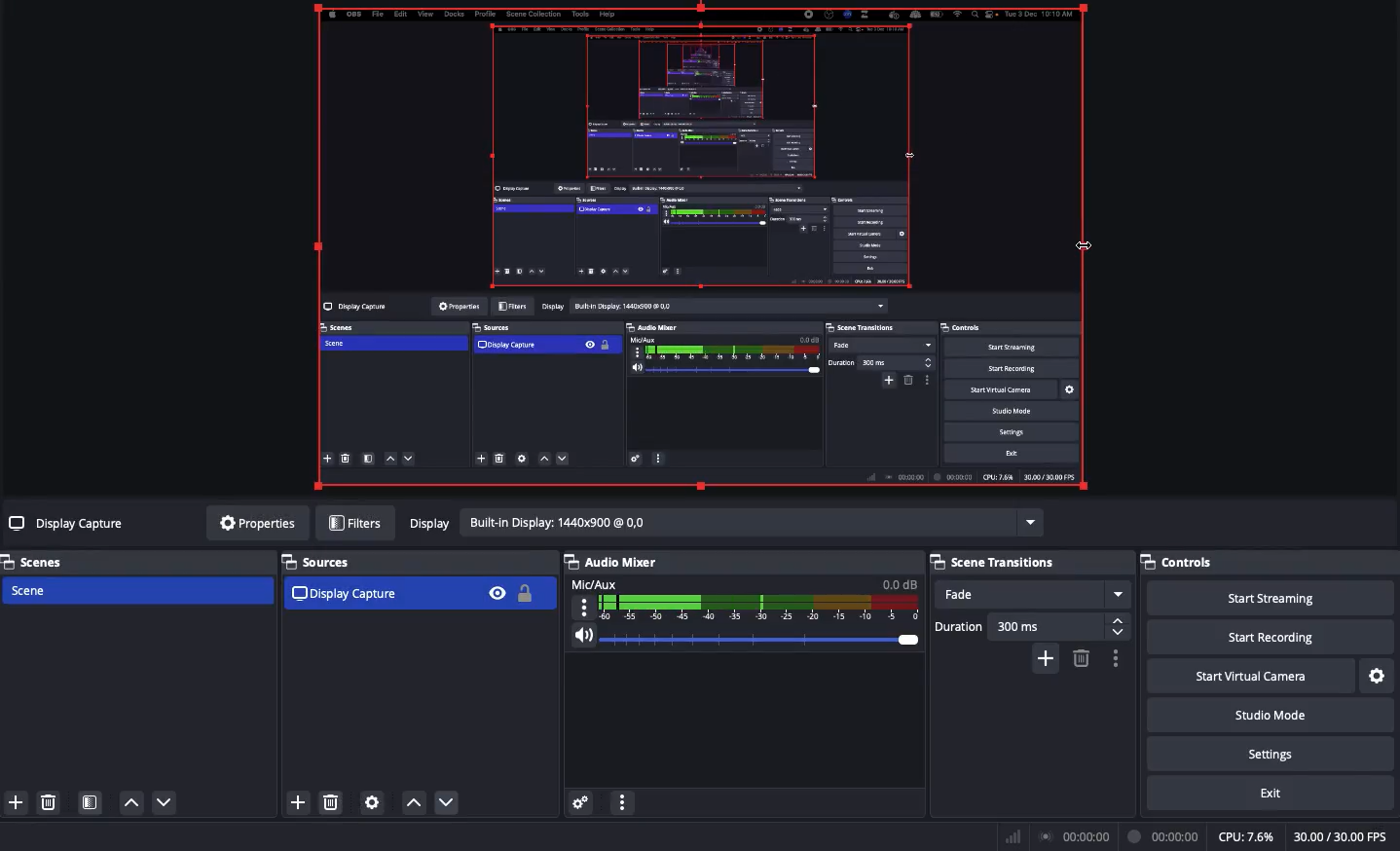 The height and width of the screenshot is (851, 1400). Describe the element at coordinates (523, 593) in the screenshot. I see `Locked` at that location.